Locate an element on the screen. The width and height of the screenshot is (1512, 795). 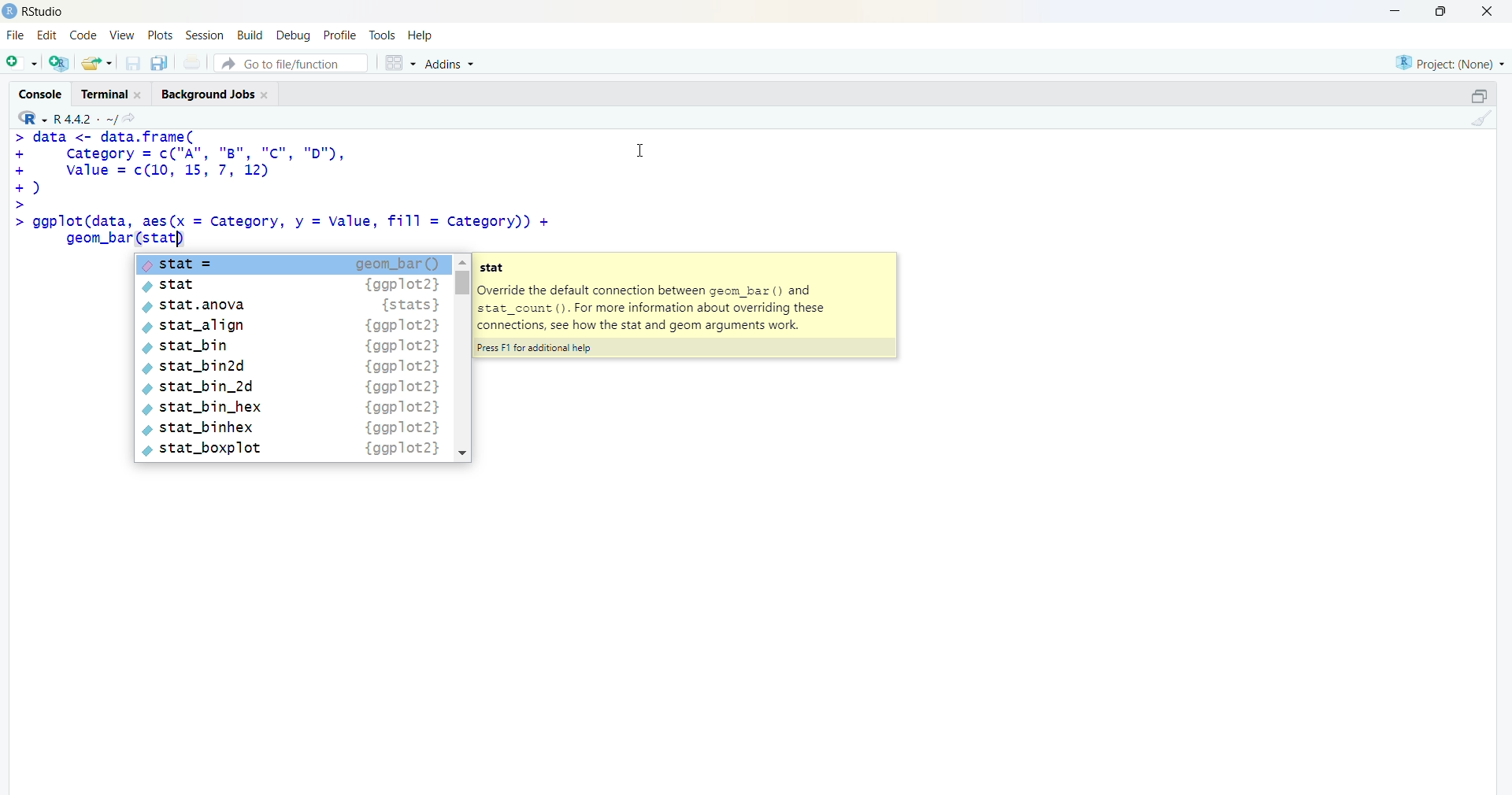
save all open documents is located at coordinates (158, 63).